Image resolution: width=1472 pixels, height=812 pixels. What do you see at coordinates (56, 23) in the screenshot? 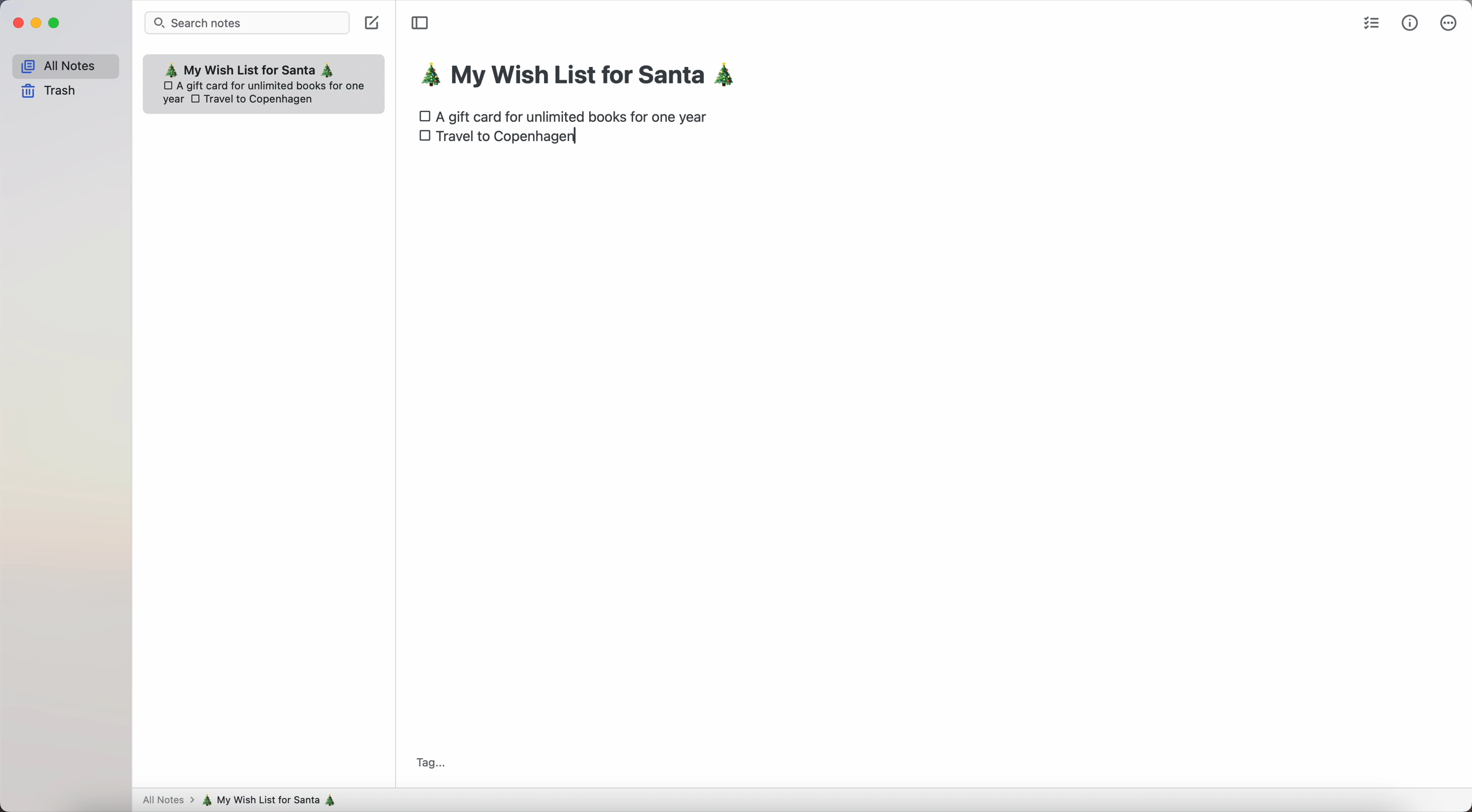
I see `maximize` at bounding box center [56, 23].